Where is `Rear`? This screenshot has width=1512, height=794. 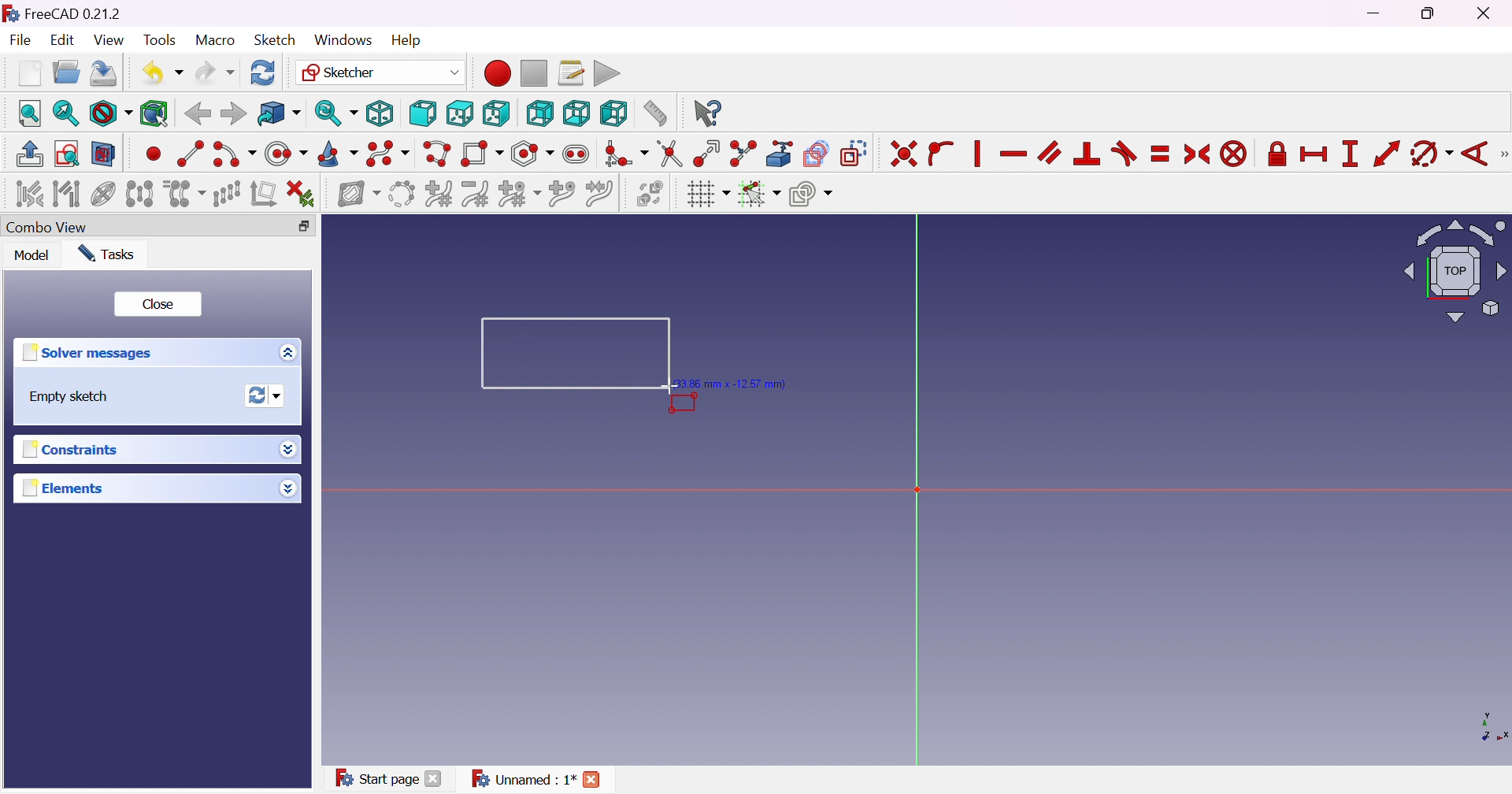
Rear is located at coordinates (540, 114).